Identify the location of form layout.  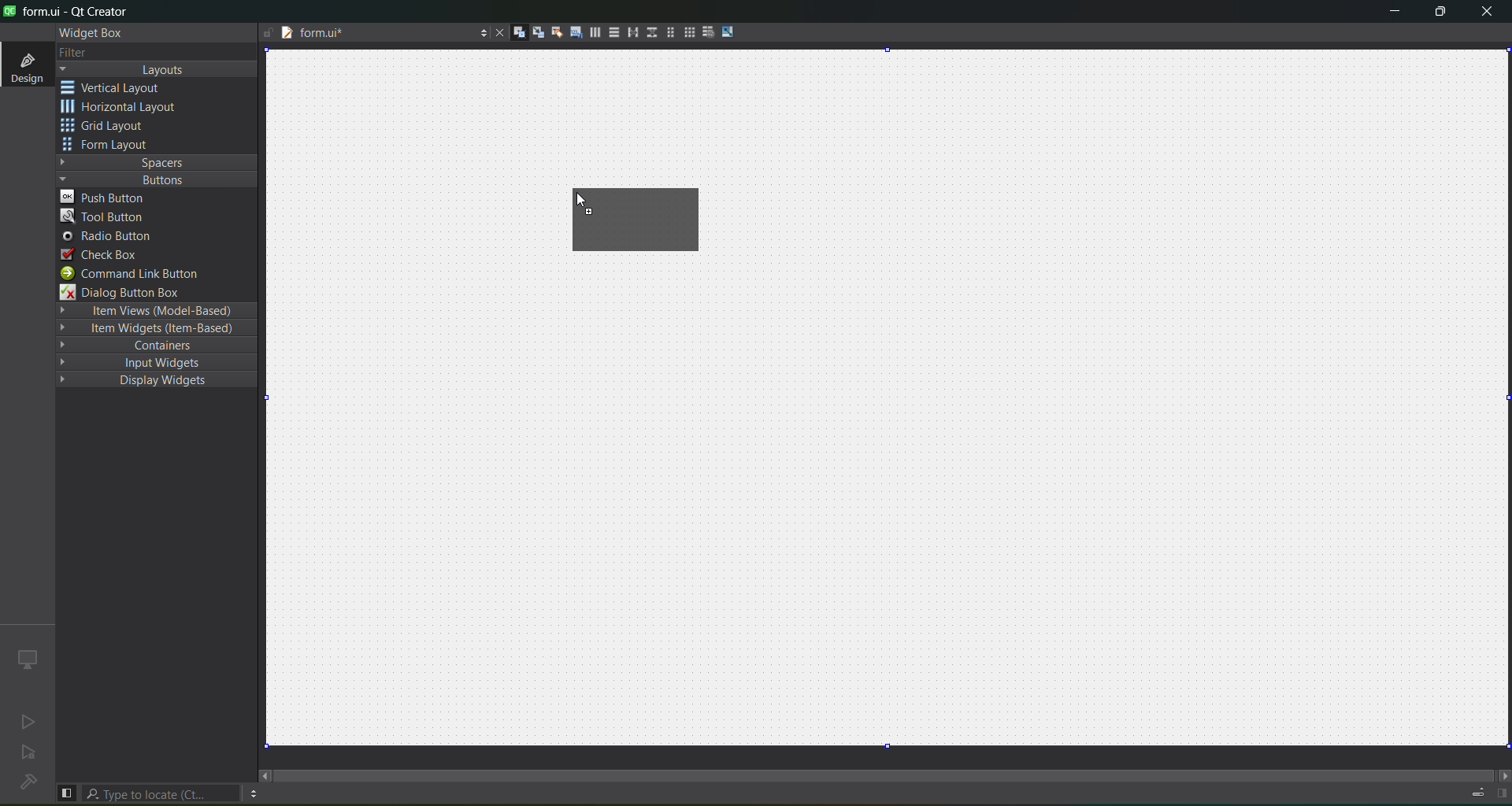
(667, 32).